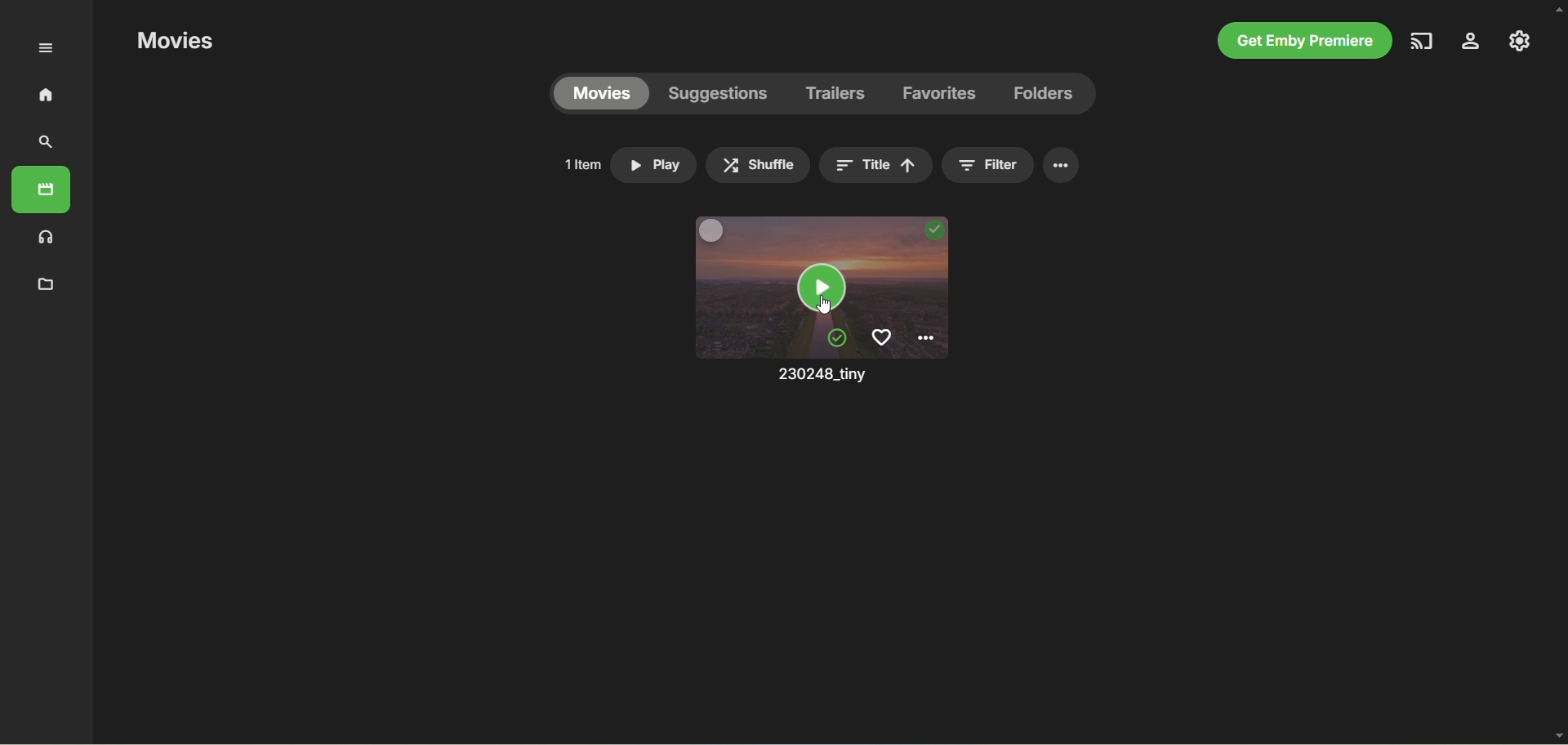 This screenshot has height=745, width=1568. I want to click on movie name, so click(817, 378).